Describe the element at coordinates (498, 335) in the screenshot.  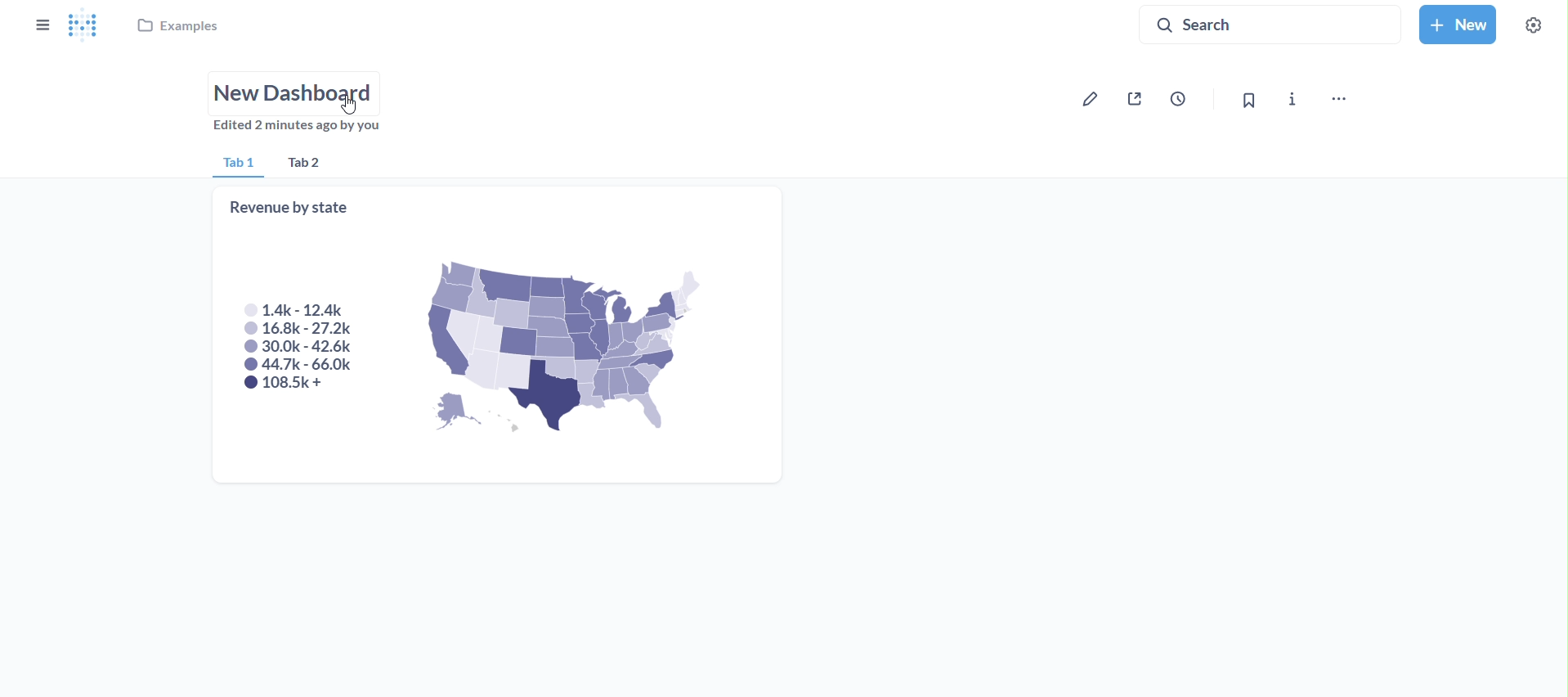
I see `revenue by state` at that location.